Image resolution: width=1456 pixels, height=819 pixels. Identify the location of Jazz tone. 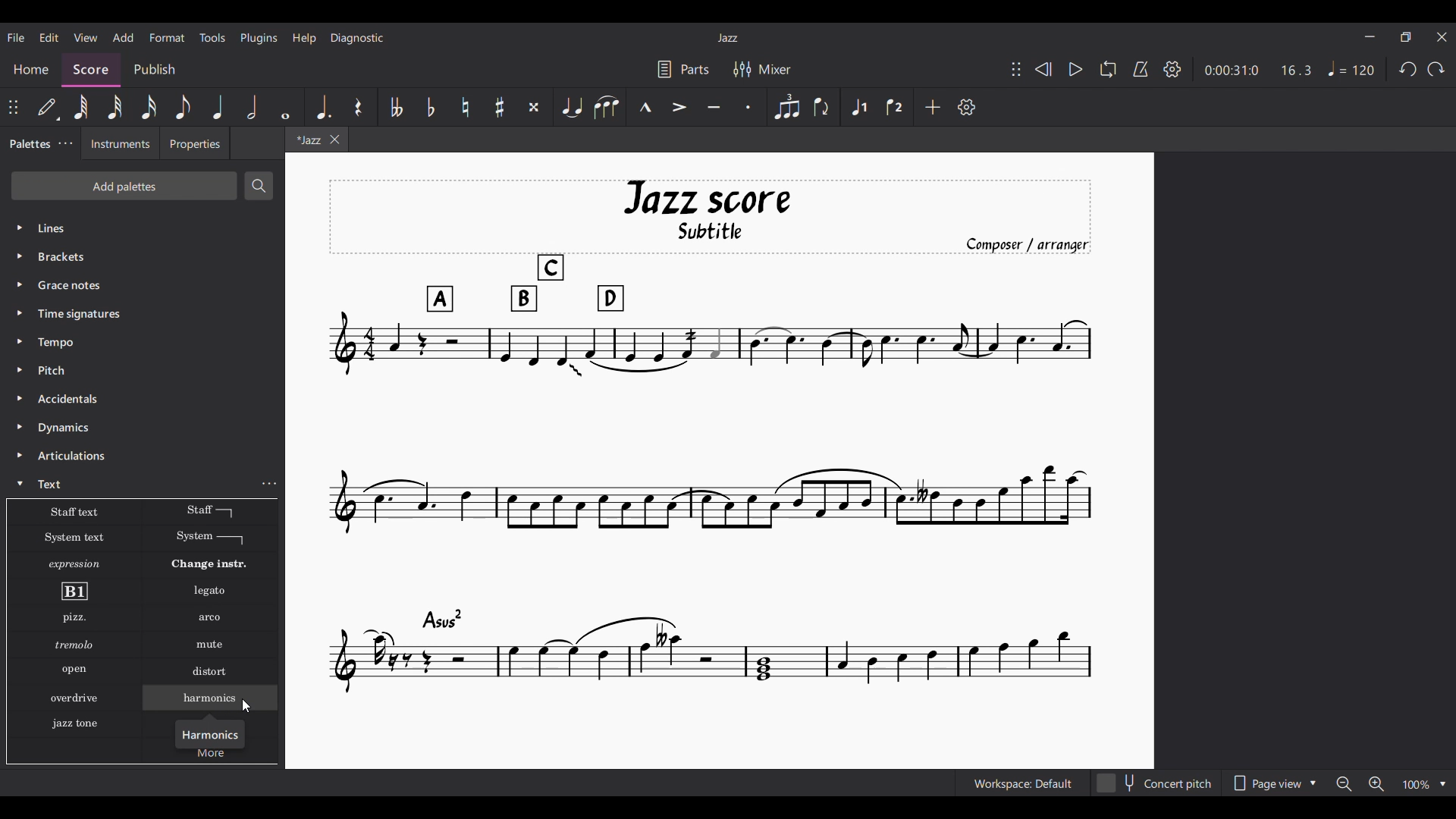
(79, 721).